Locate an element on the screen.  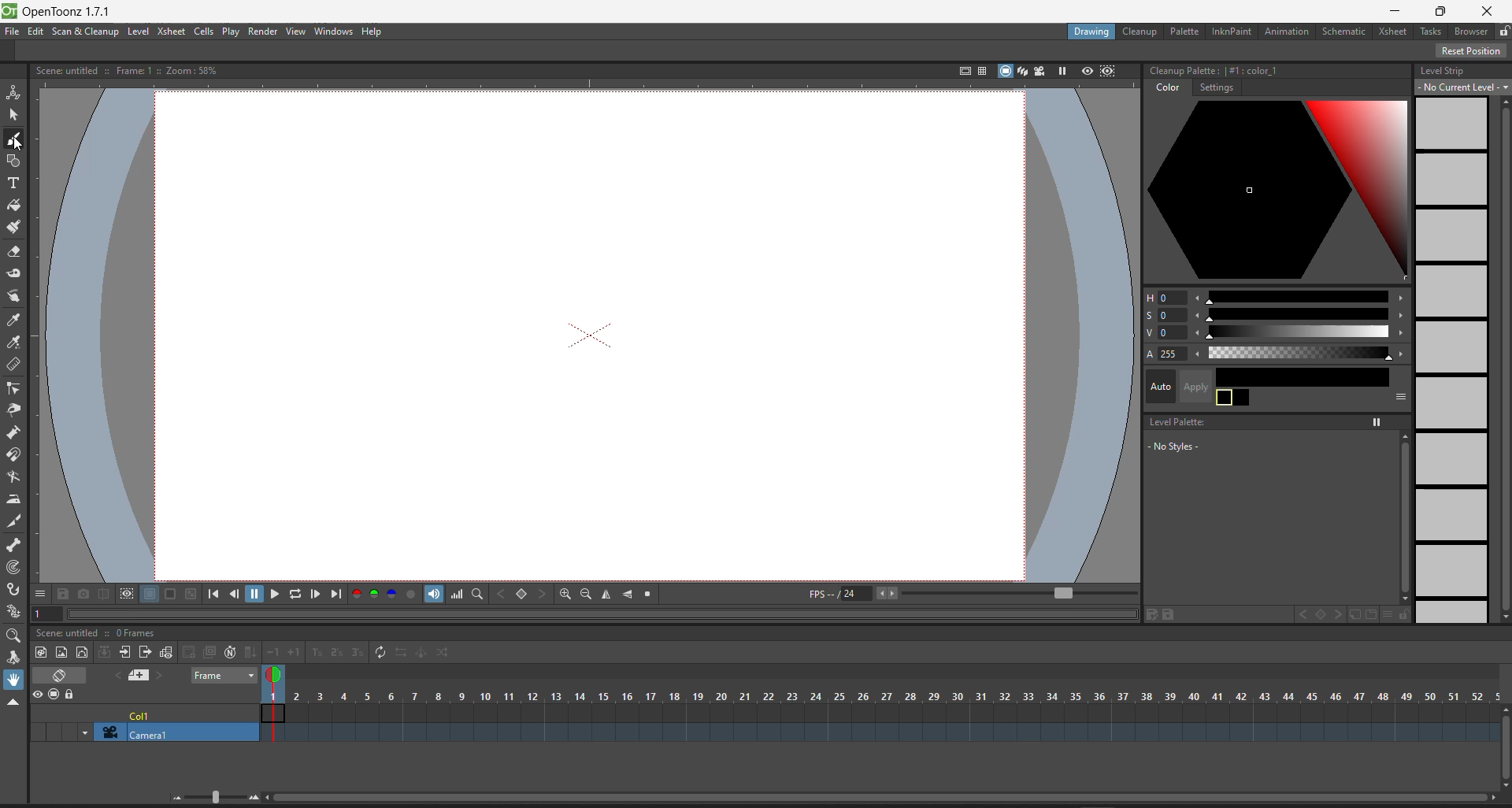
alpha channel is located at coordinates (412, 594).